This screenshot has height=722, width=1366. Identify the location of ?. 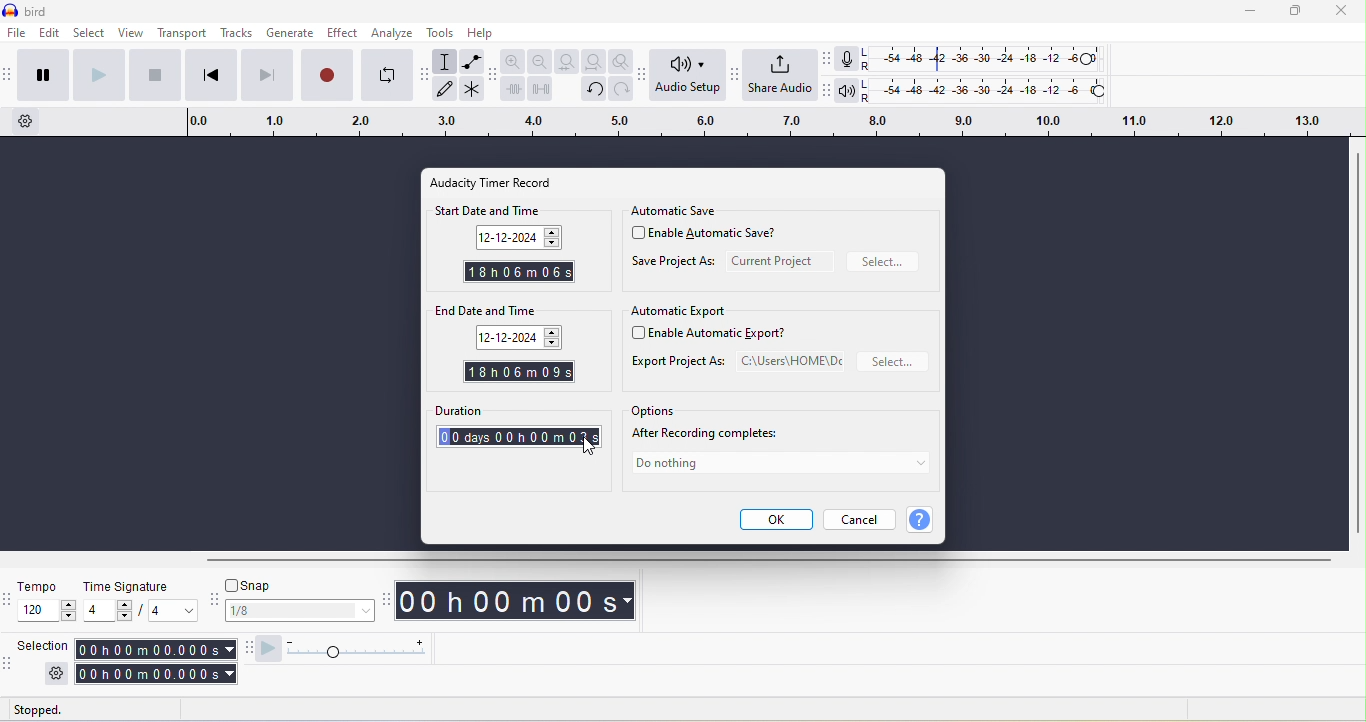
(924, 520).